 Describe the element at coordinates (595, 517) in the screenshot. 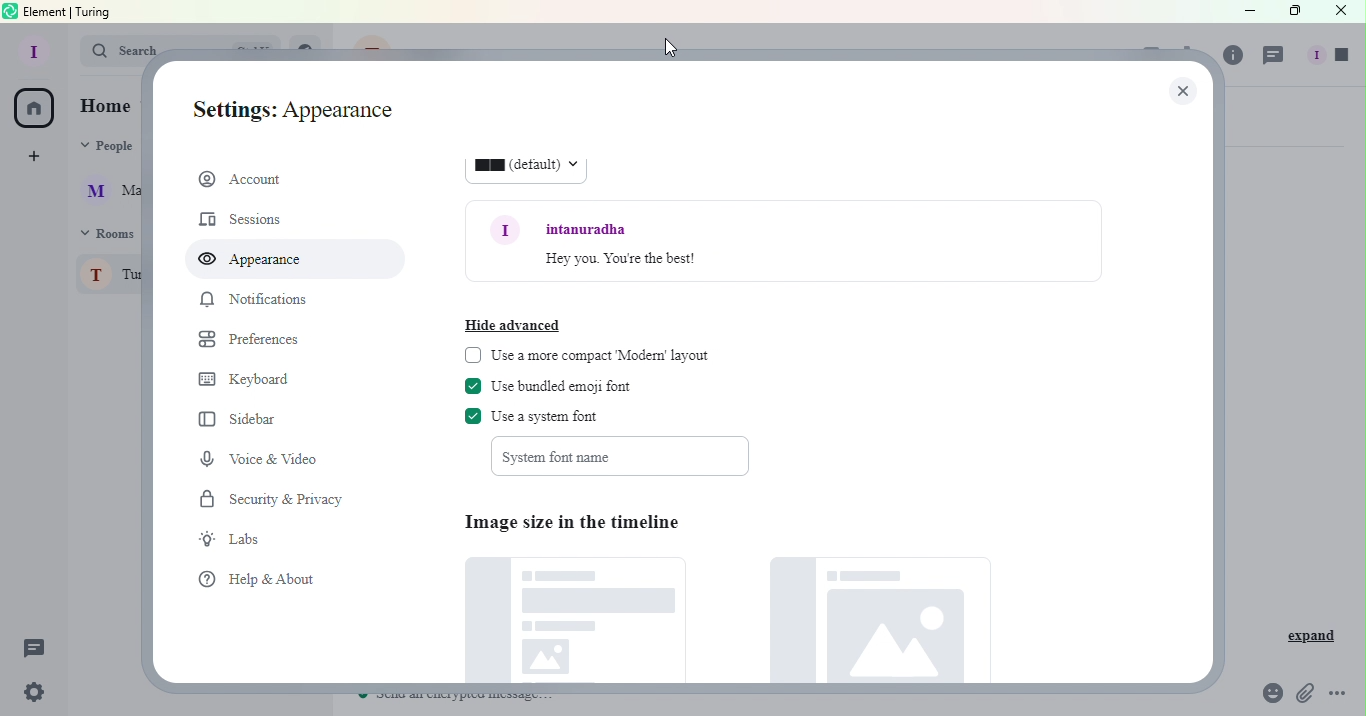

I see `Image size in the timeline` at that location.